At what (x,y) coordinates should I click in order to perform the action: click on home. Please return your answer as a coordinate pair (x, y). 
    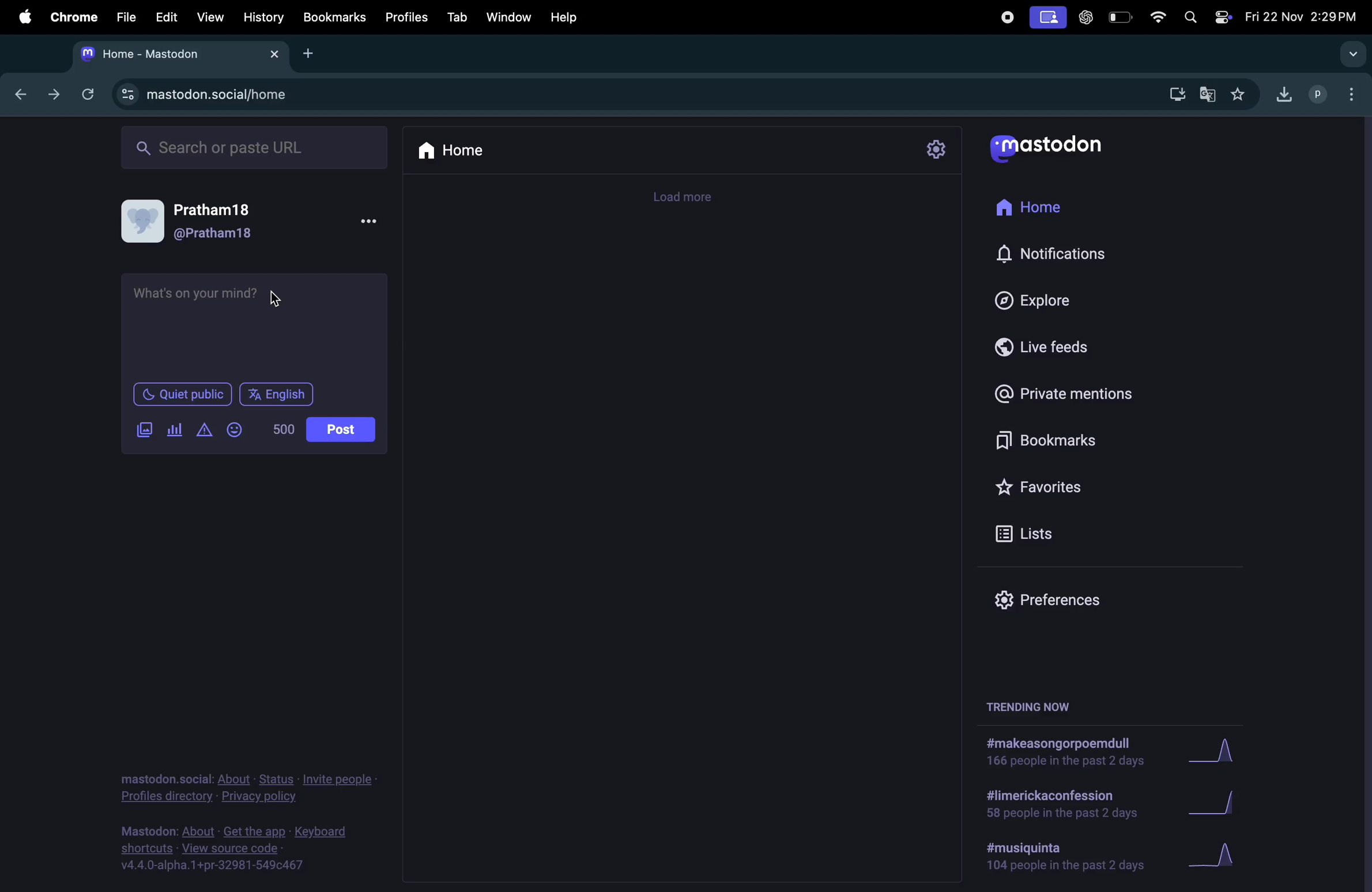
    Looking at the image, I should click on (454, 156).